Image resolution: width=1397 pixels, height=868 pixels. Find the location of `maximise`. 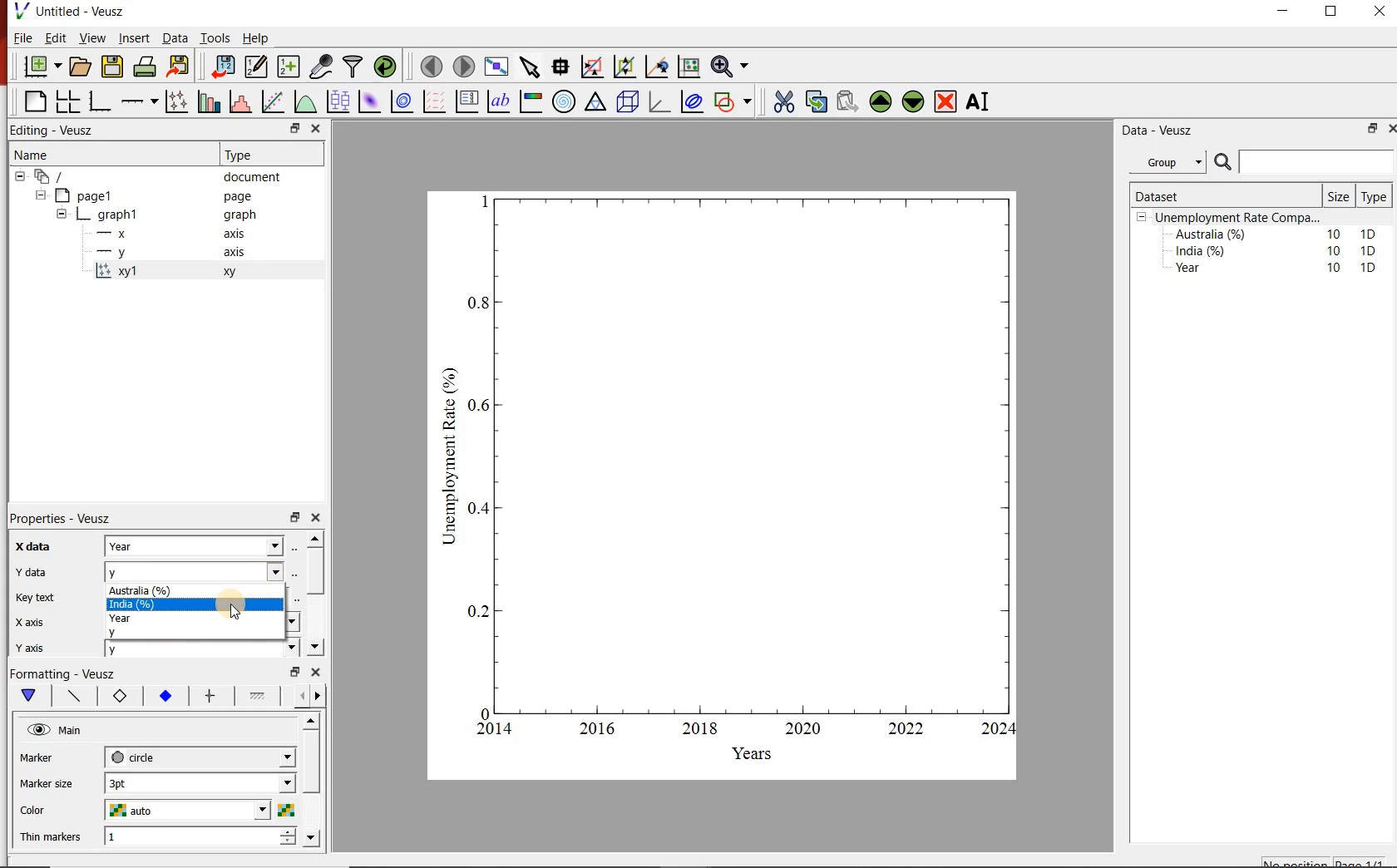

maximise is located at coordinates (1333, 15).